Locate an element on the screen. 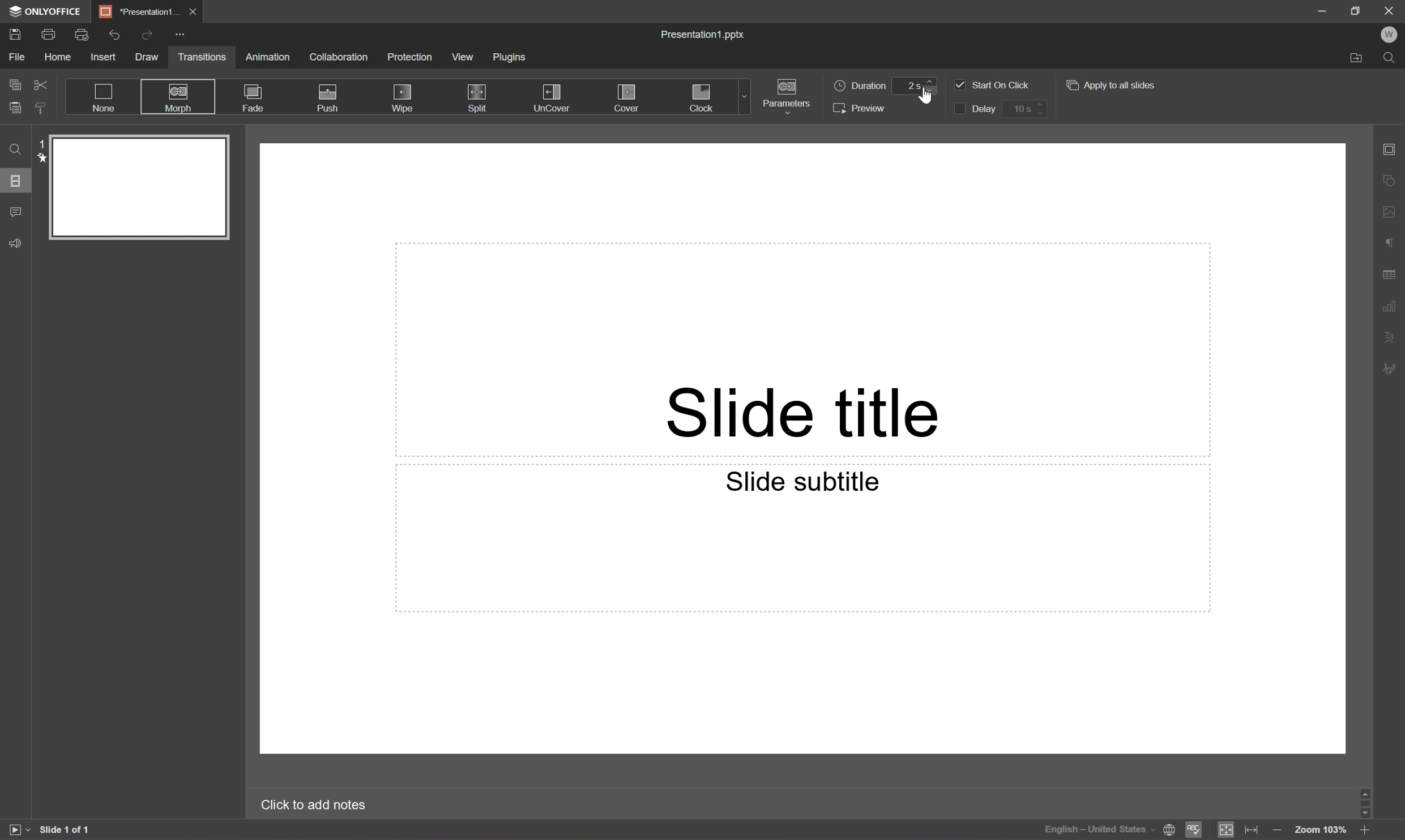  Table settings is located at coordinates (1389, 273).